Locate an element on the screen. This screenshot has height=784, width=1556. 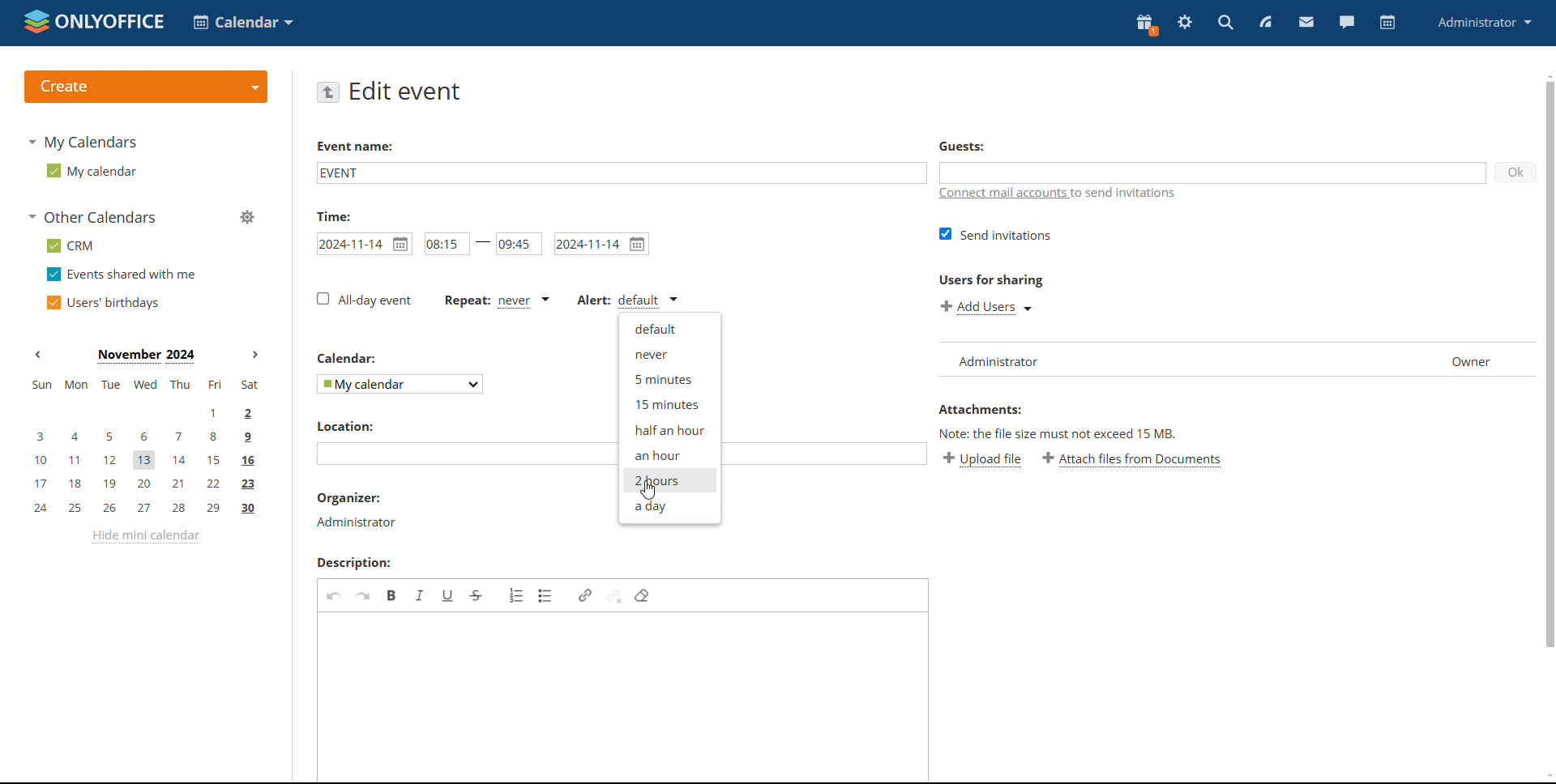
go back is located at coordinates (329, 92).